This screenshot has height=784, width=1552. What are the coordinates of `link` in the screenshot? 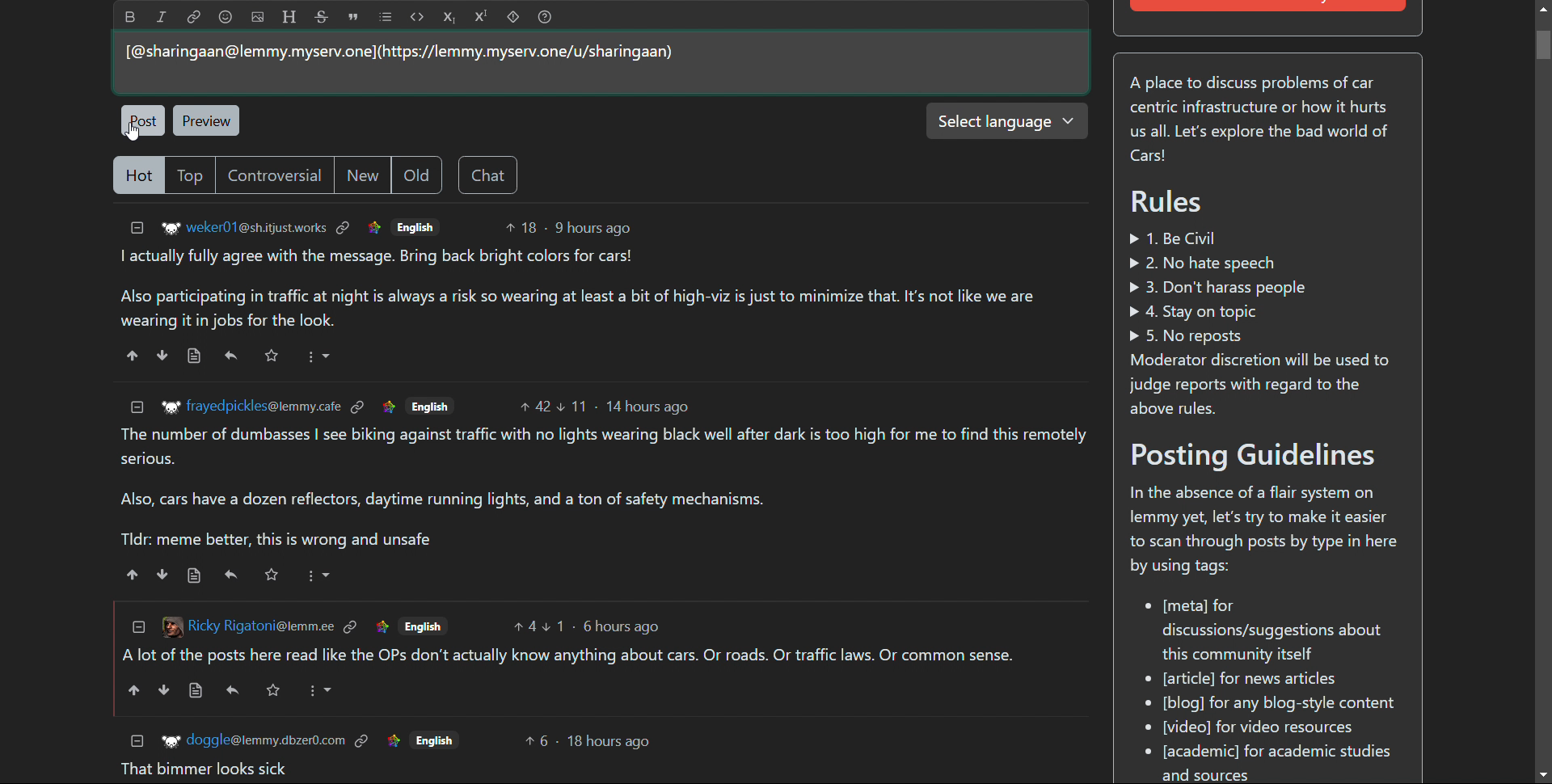 It's located at (359, 407).